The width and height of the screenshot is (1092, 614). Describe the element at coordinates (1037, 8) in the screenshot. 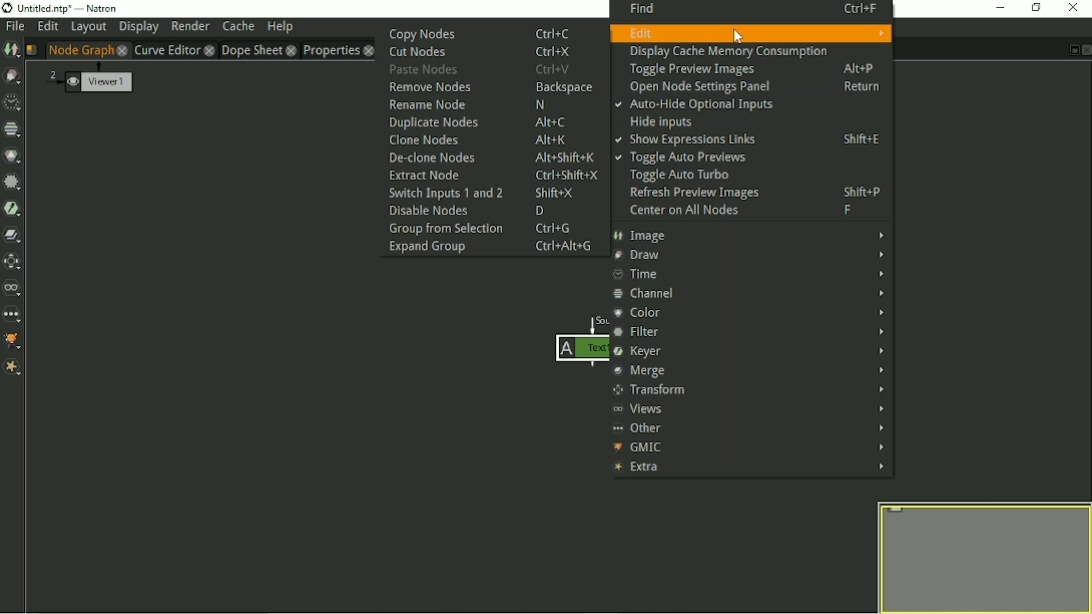

I see `Restore down` at that location.